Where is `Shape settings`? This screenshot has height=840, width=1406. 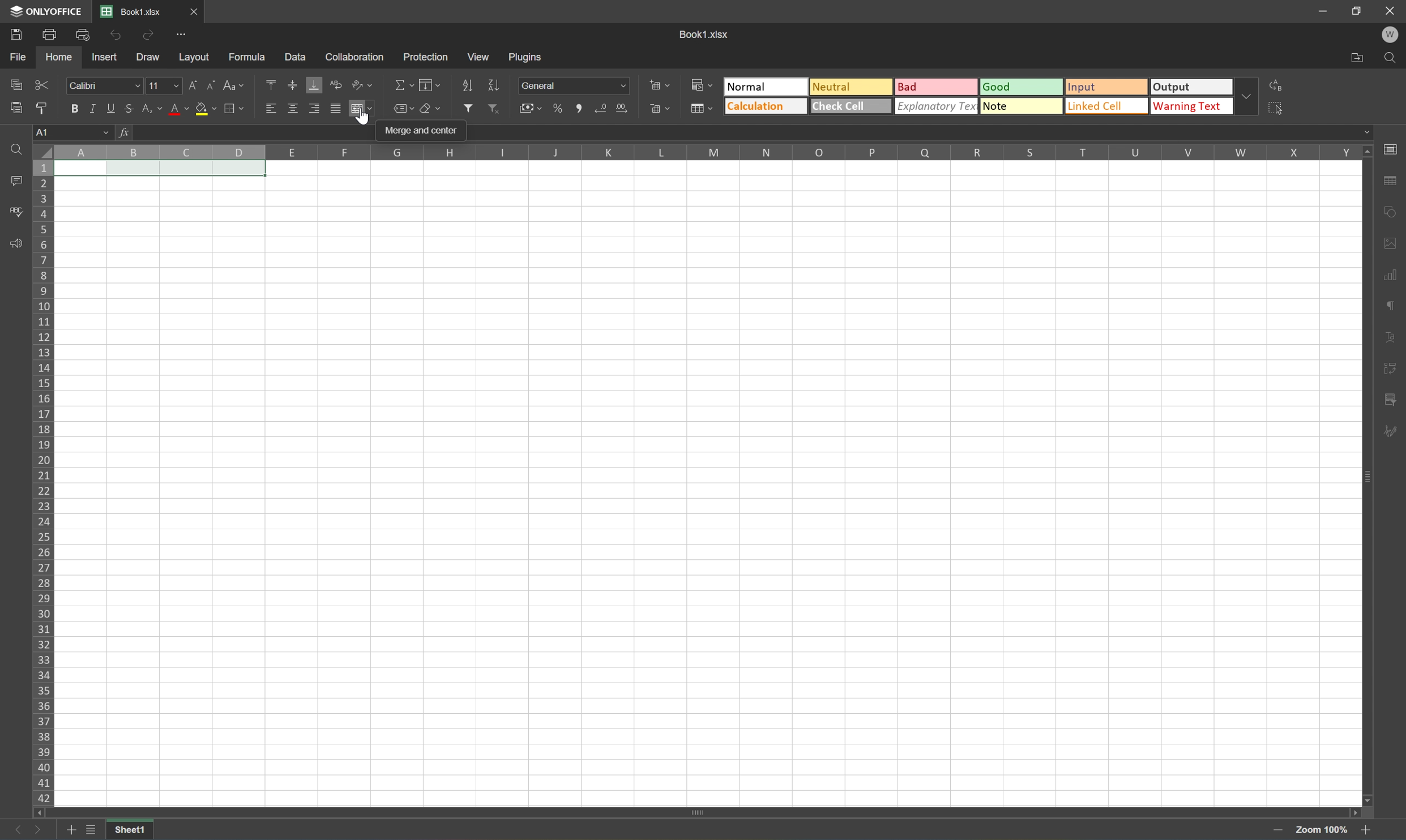
Shape settings is located at coordinates (1388, 242).